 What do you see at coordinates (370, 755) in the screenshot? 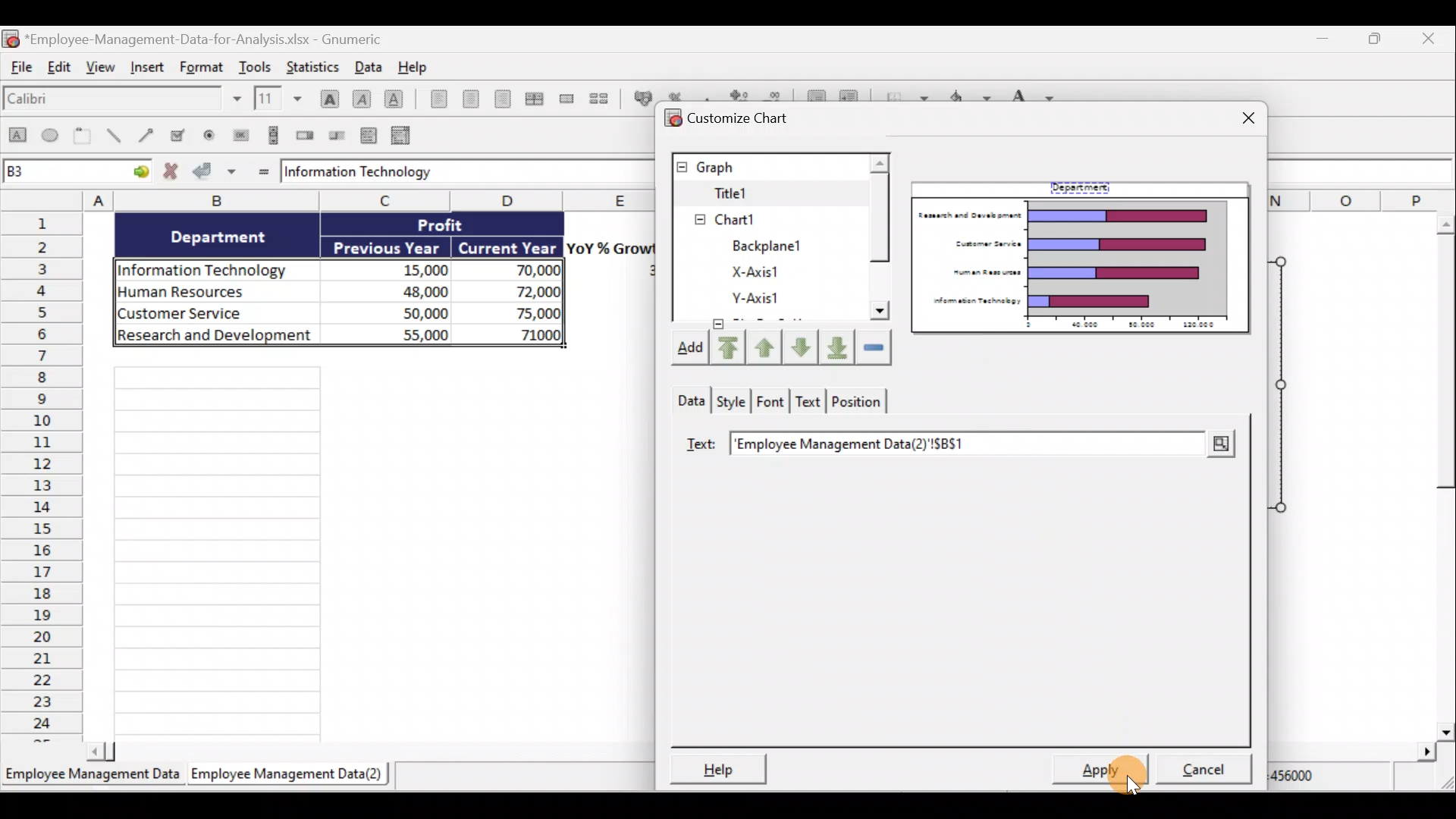
I see `Scroll bar` at bounding box center [370, 755].